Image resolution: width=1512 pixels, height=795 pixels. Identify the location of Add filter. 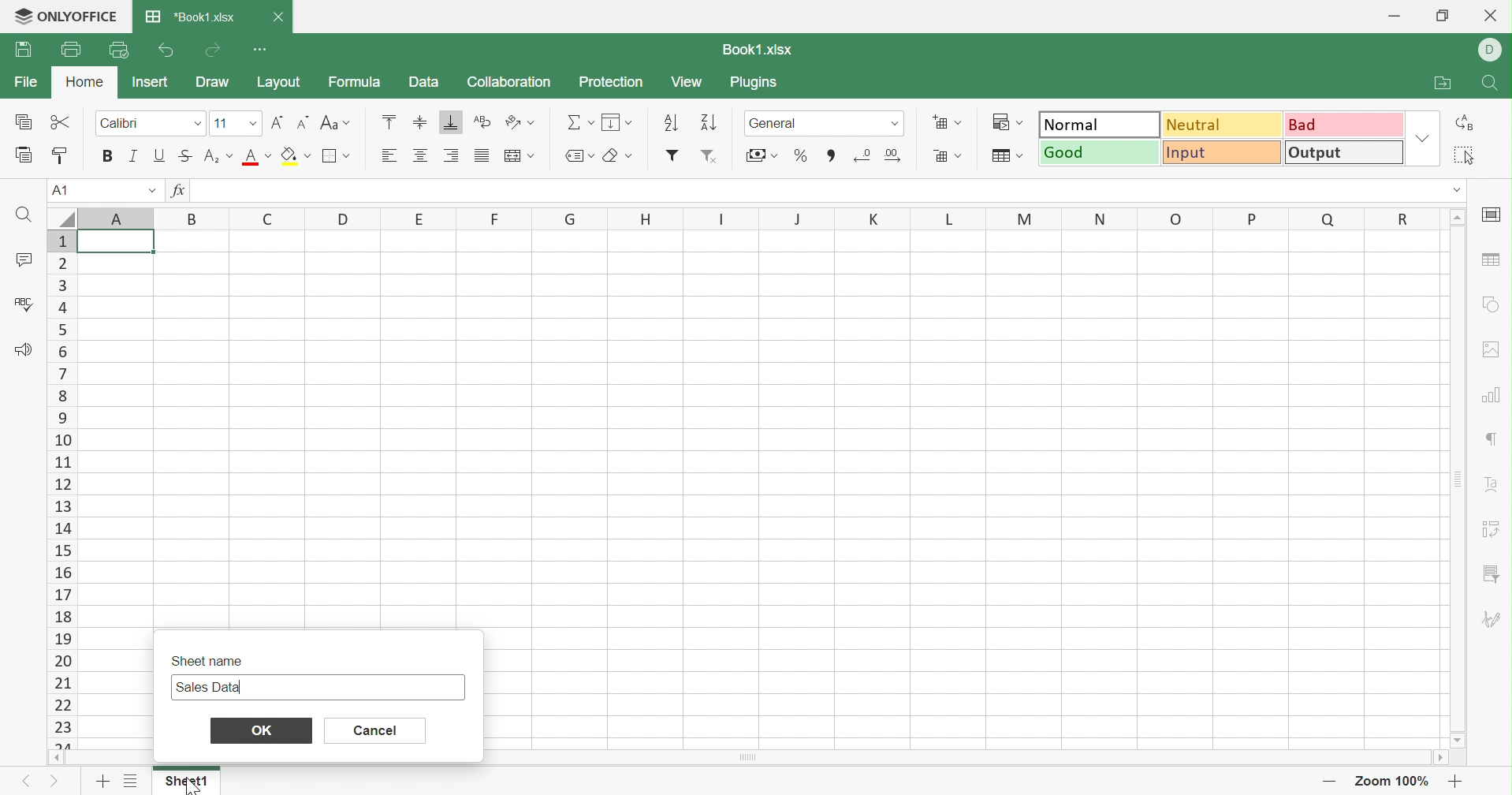
(674, 155).